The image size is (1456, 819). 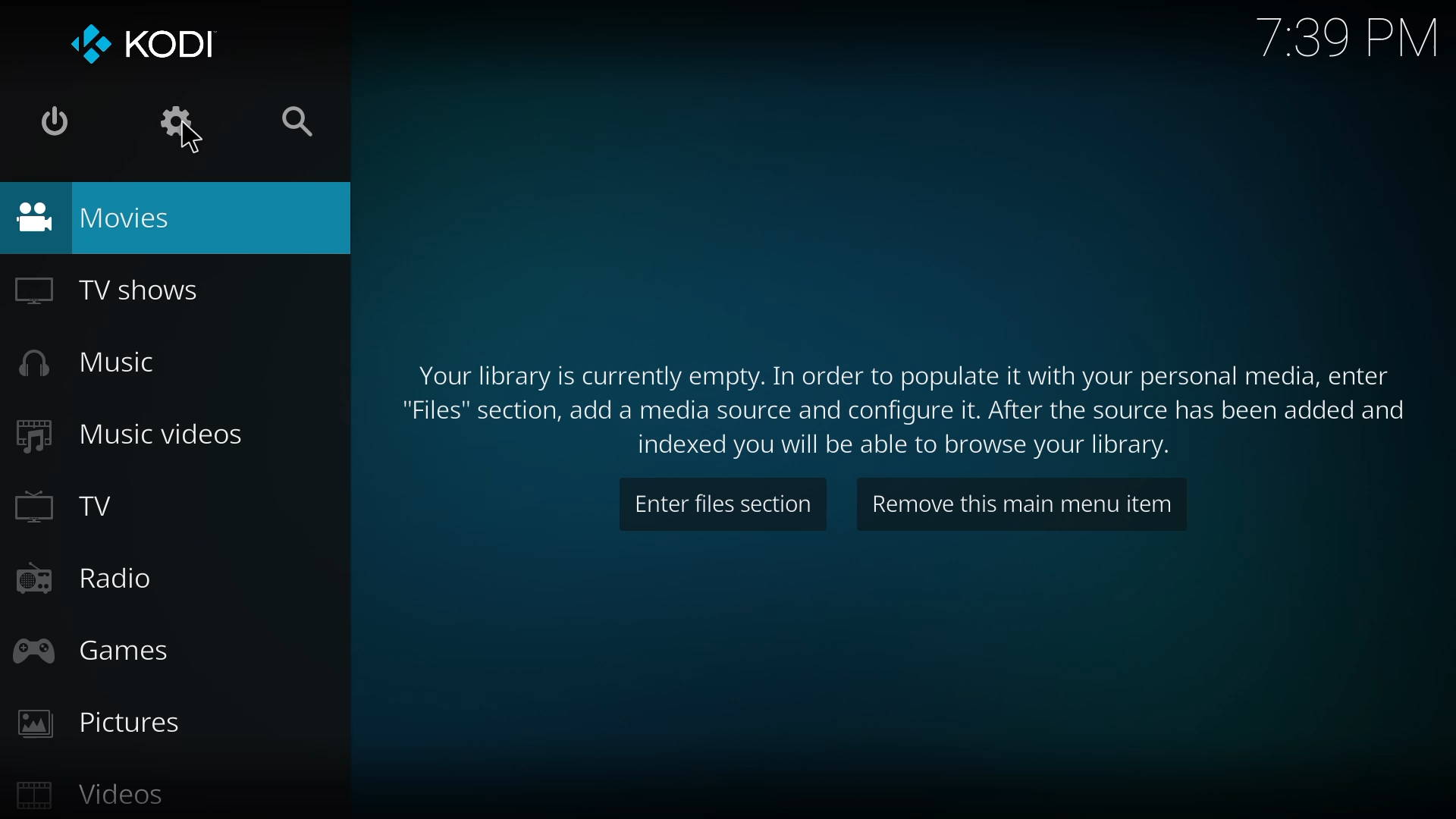 What do you see at coordinates (84, 797) in the screenshot?
I see `videos` at bounding box center [84, 797].